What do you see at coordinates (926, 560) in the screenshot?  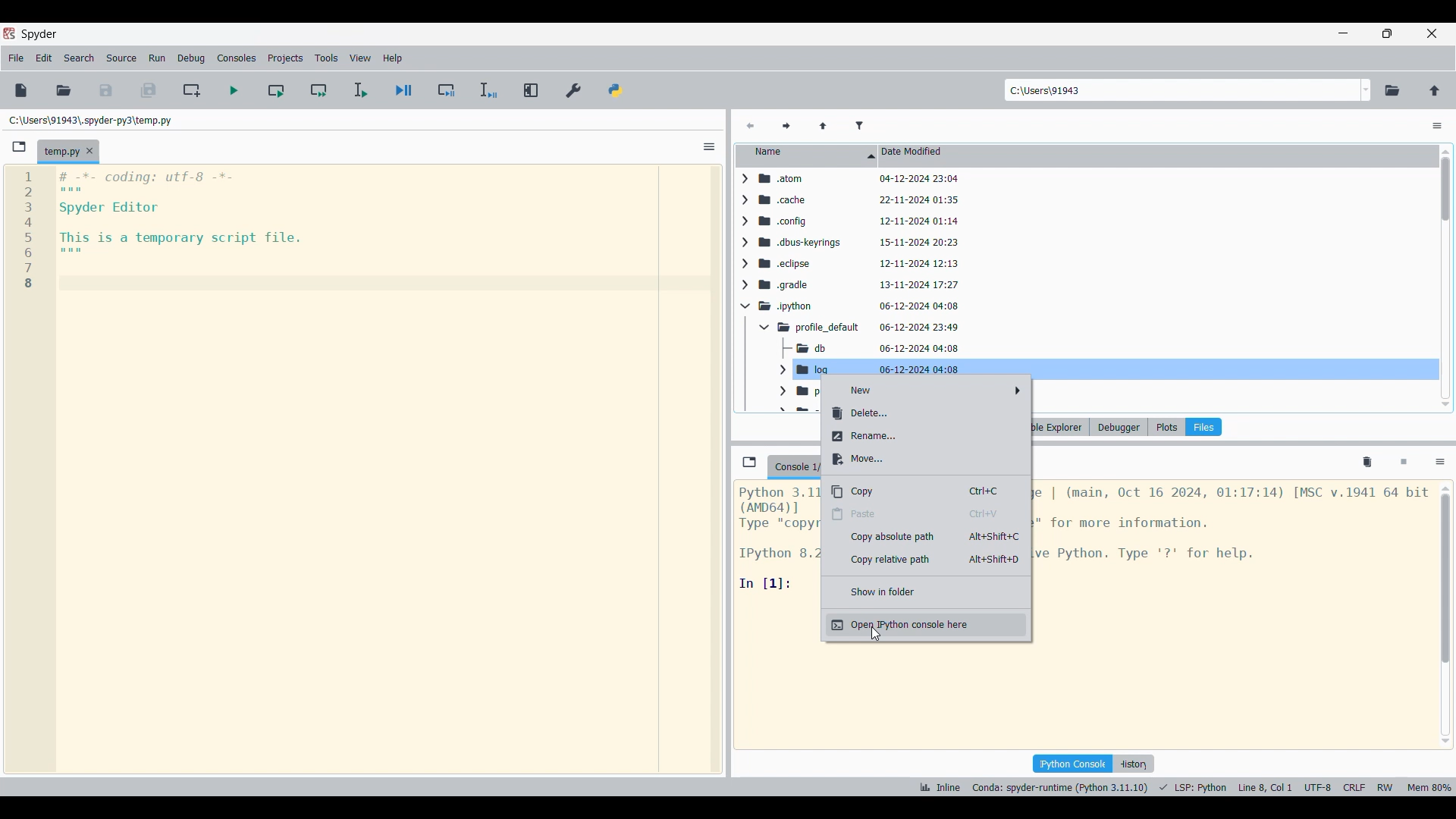 I see `Copy relative path` at bounding box center [926, 560].